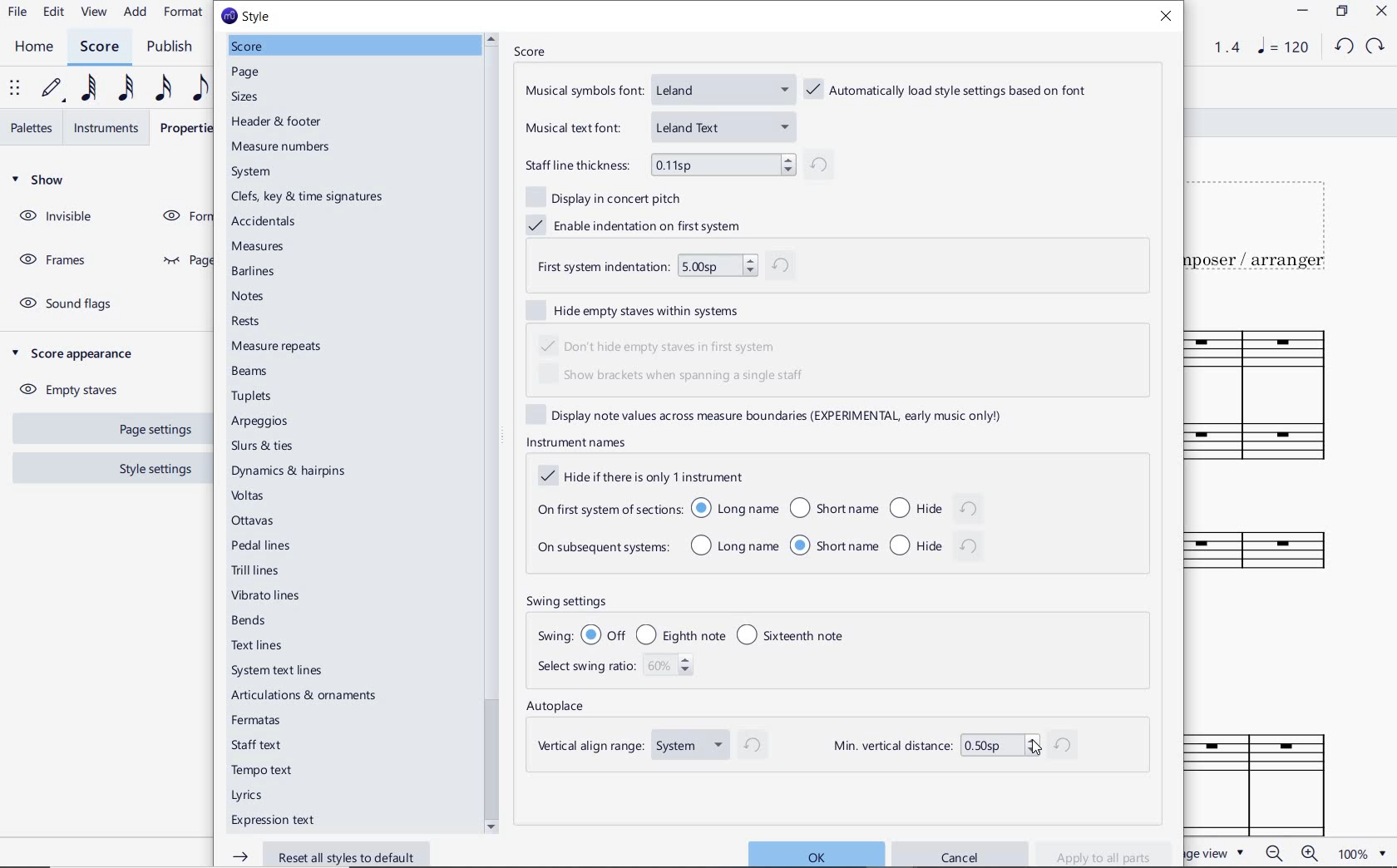 The image size is (1397, 868). What do you see at coordinates (17, 12) in the screenshot?
I see `FILE` at bounding box center [17, 12].